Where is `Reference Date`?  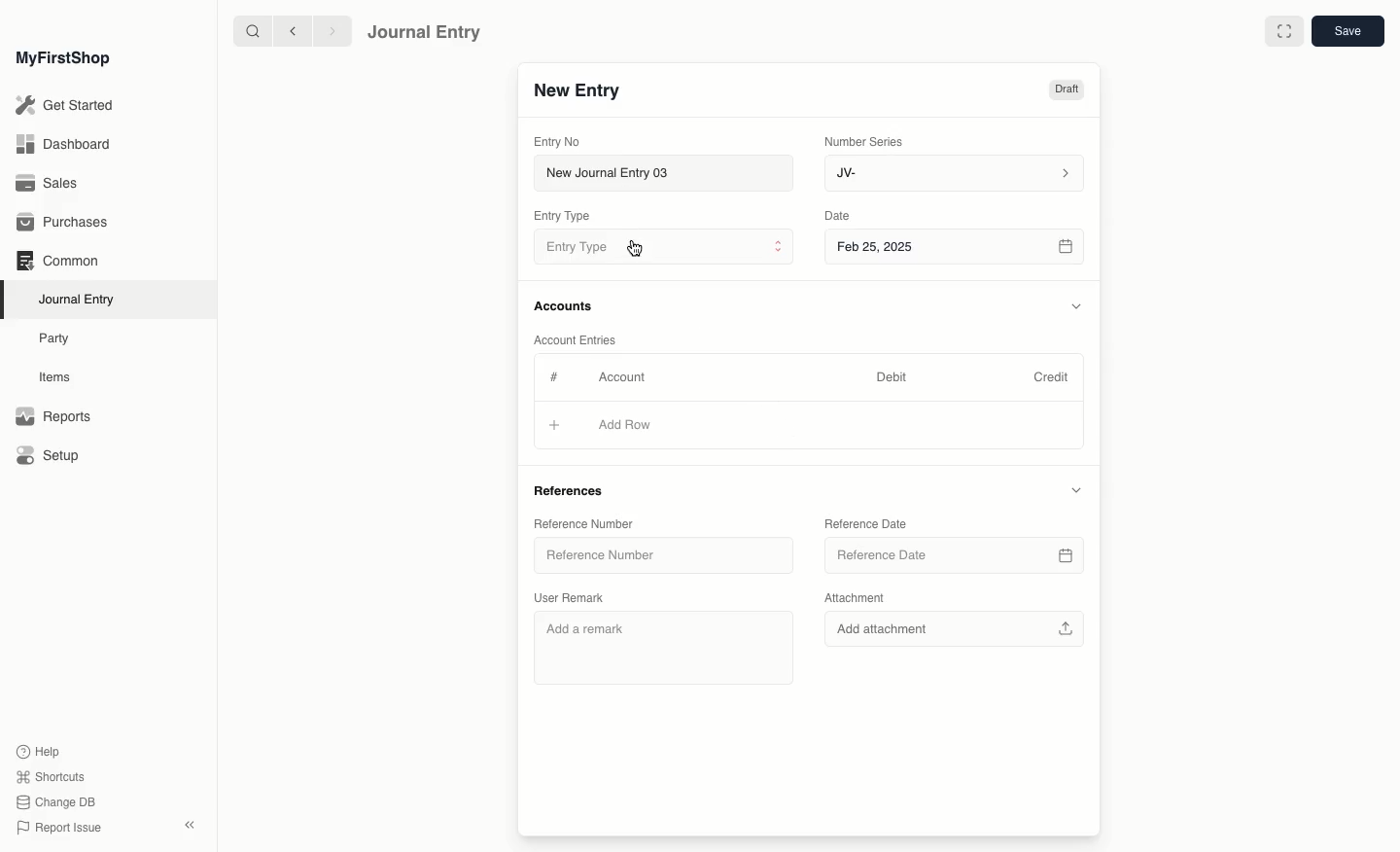
Reference Date is located at coordinates (866, 523).